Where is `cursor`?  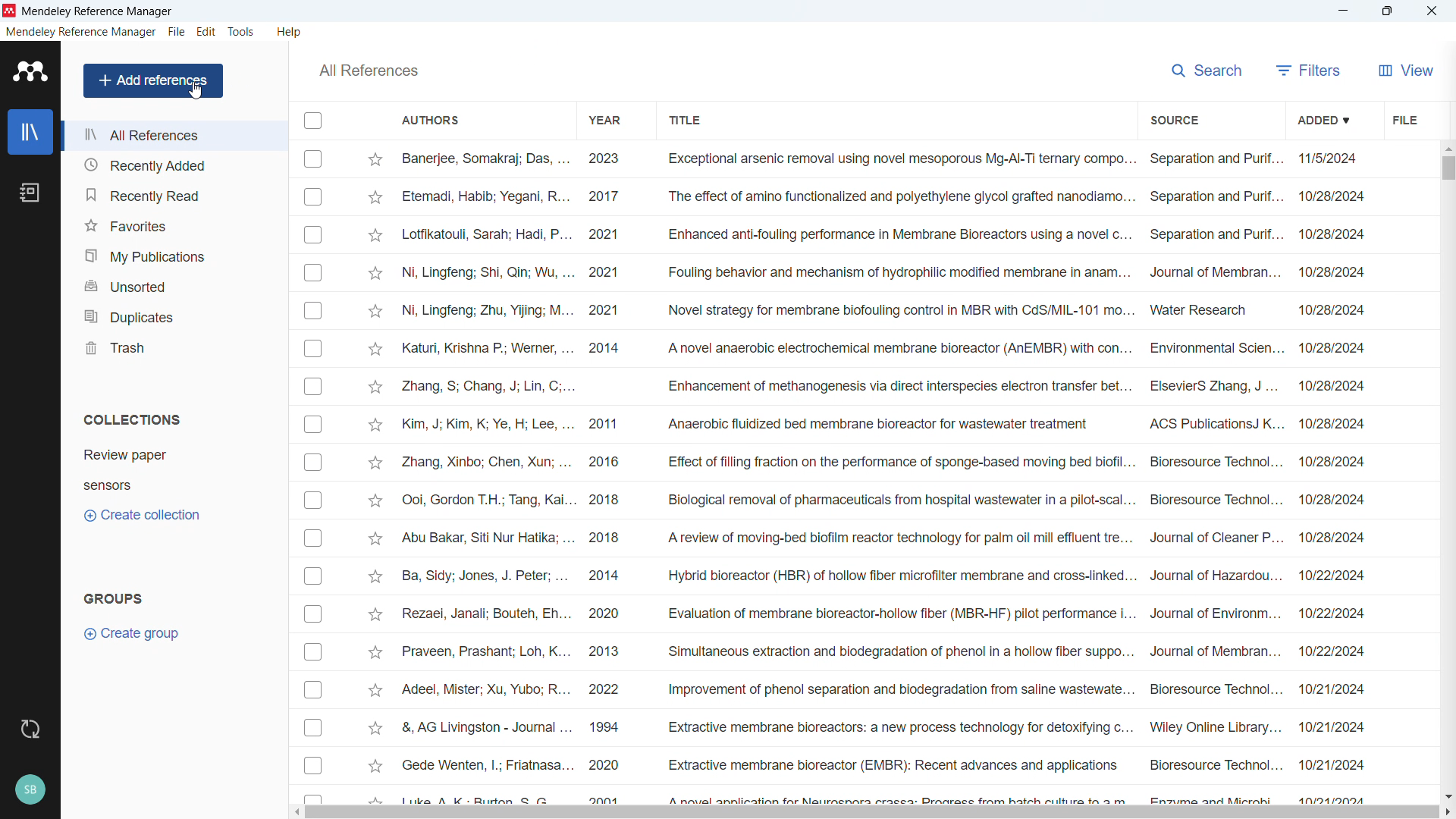
cursor is located at coordinates (196, 91).